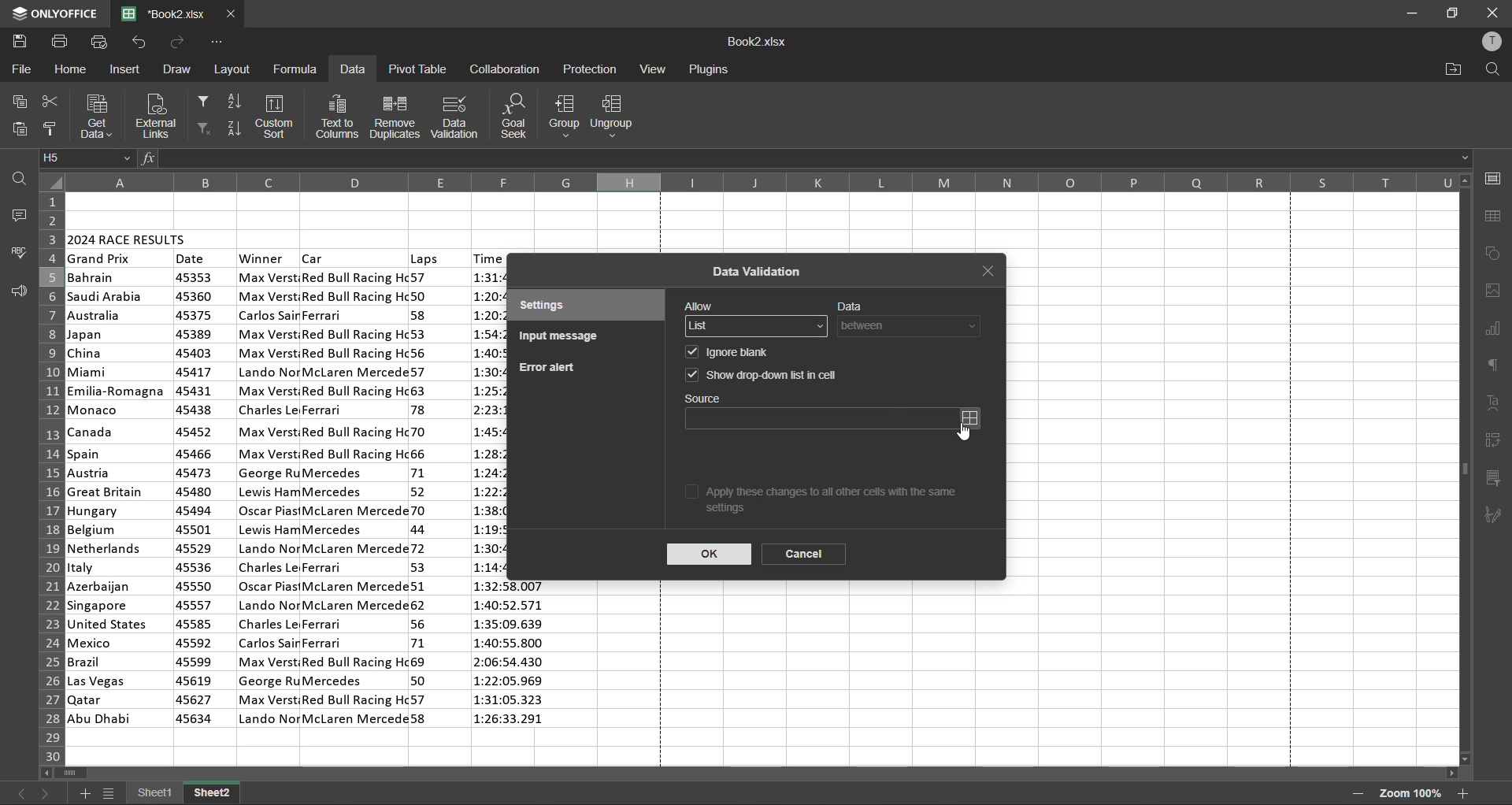  What do you see at coordinates (424, 258) in the screenshot?
I see `laps` at bounding box center [424, 258].